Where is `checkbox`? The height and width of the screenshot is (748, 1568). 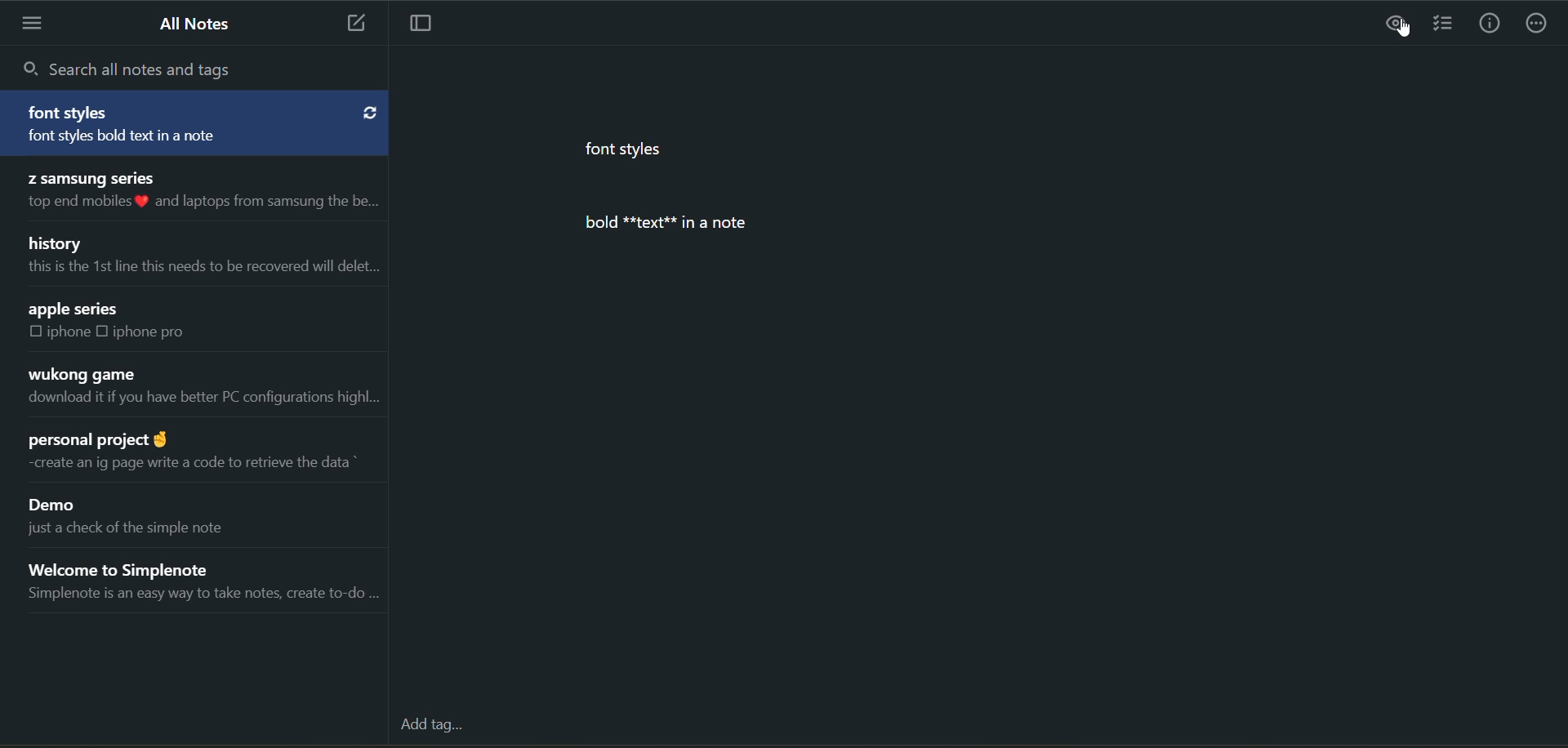
checkbox is located at coordinates (106, 331).